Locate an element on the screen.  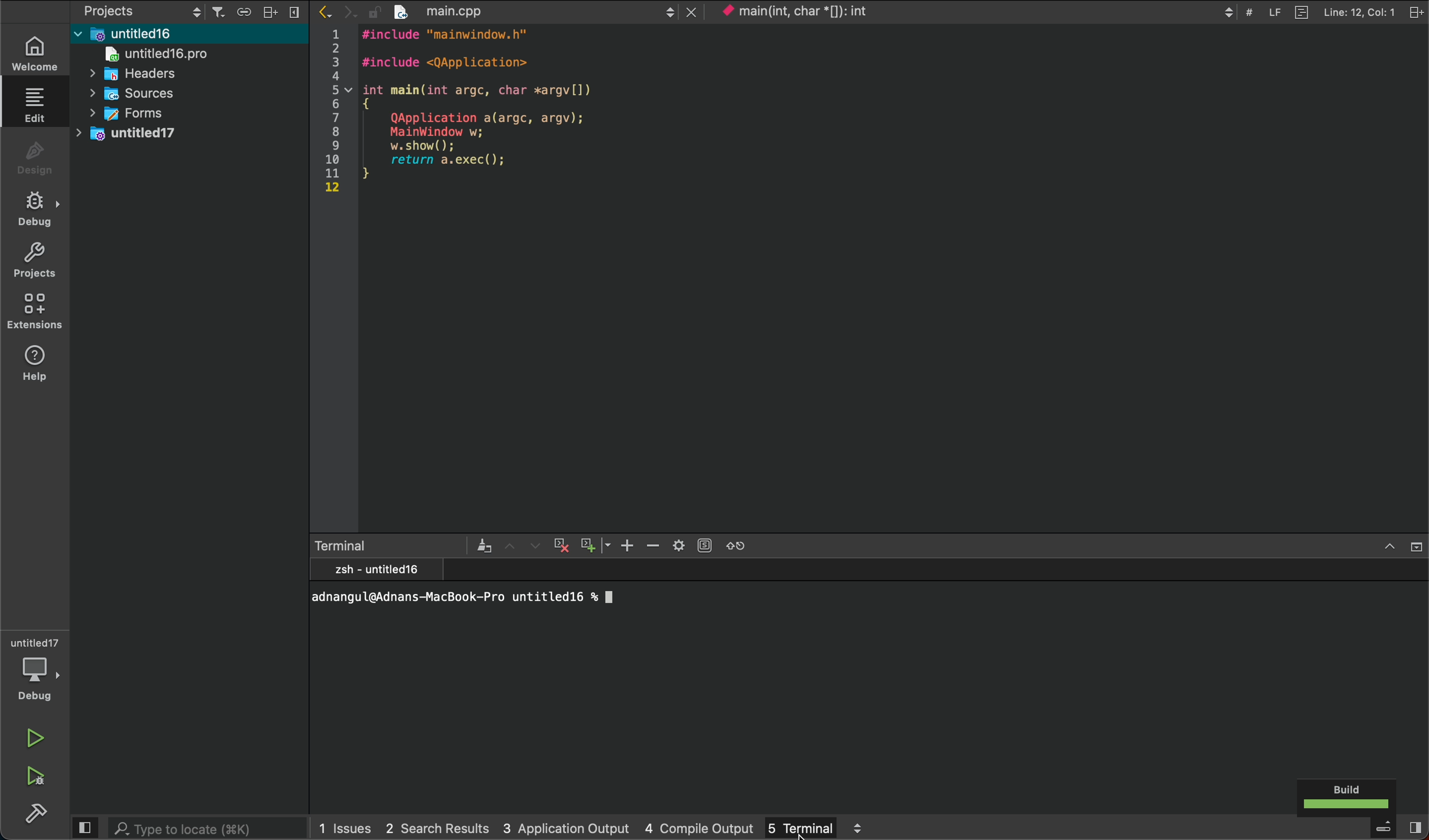
up/down is located at coordinates (857, 828).